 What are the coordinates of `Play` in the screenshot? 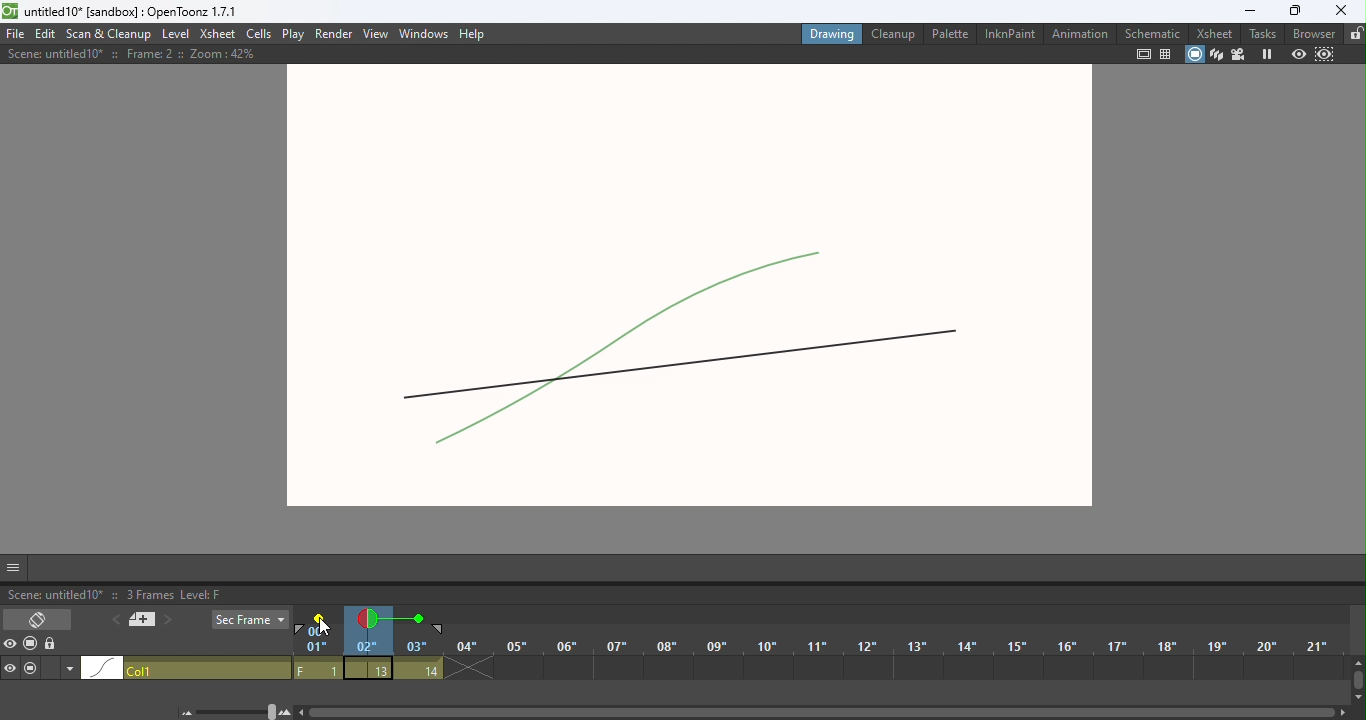 It's located at (292, 34).